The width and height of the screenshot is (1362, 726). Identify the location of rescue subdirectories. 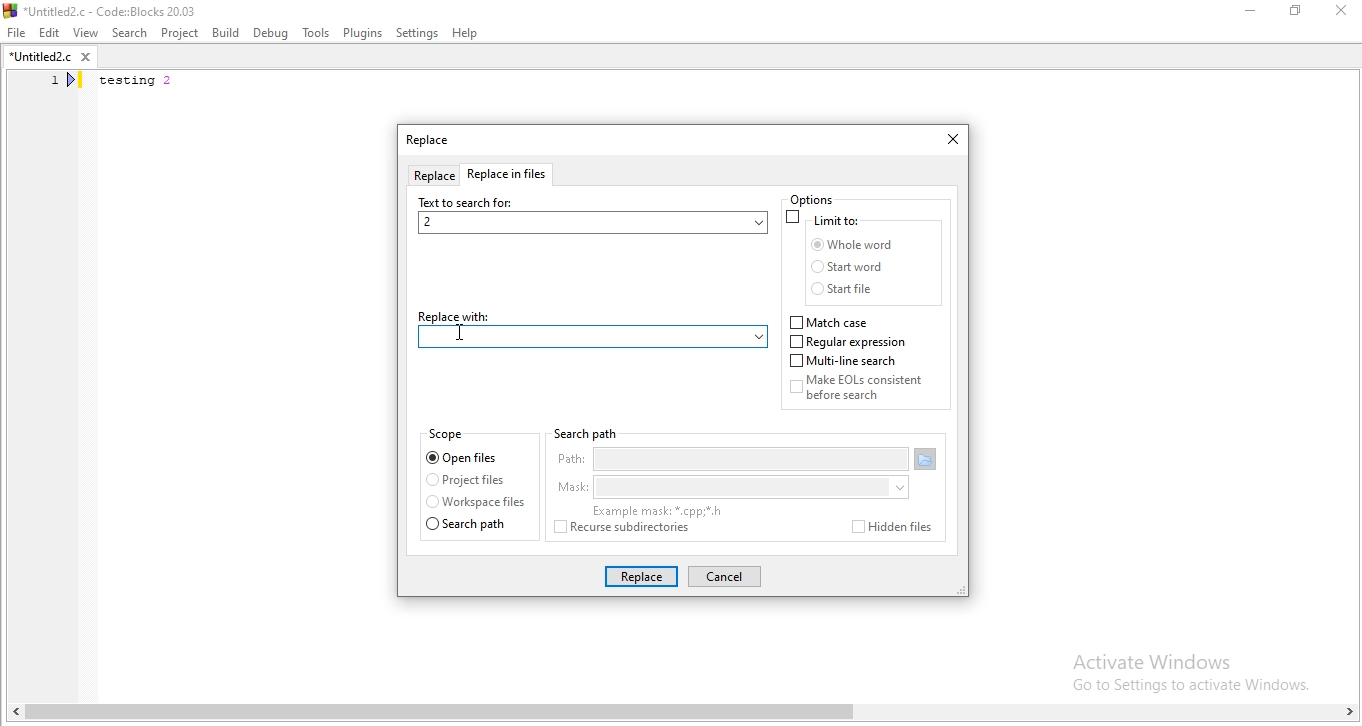
(631, 530).